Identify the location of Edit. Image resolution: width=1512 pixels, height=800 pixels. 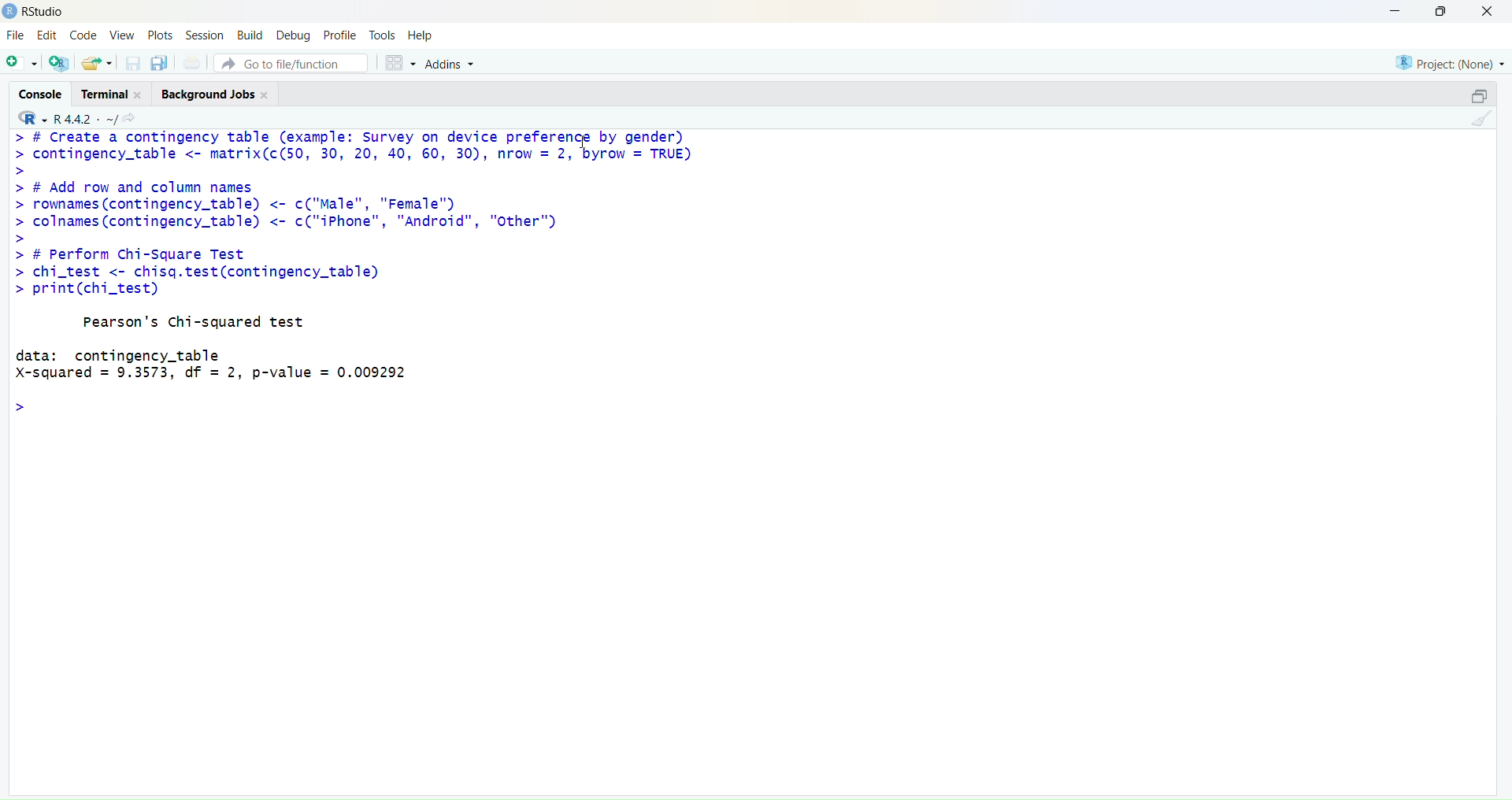
(47, 35).